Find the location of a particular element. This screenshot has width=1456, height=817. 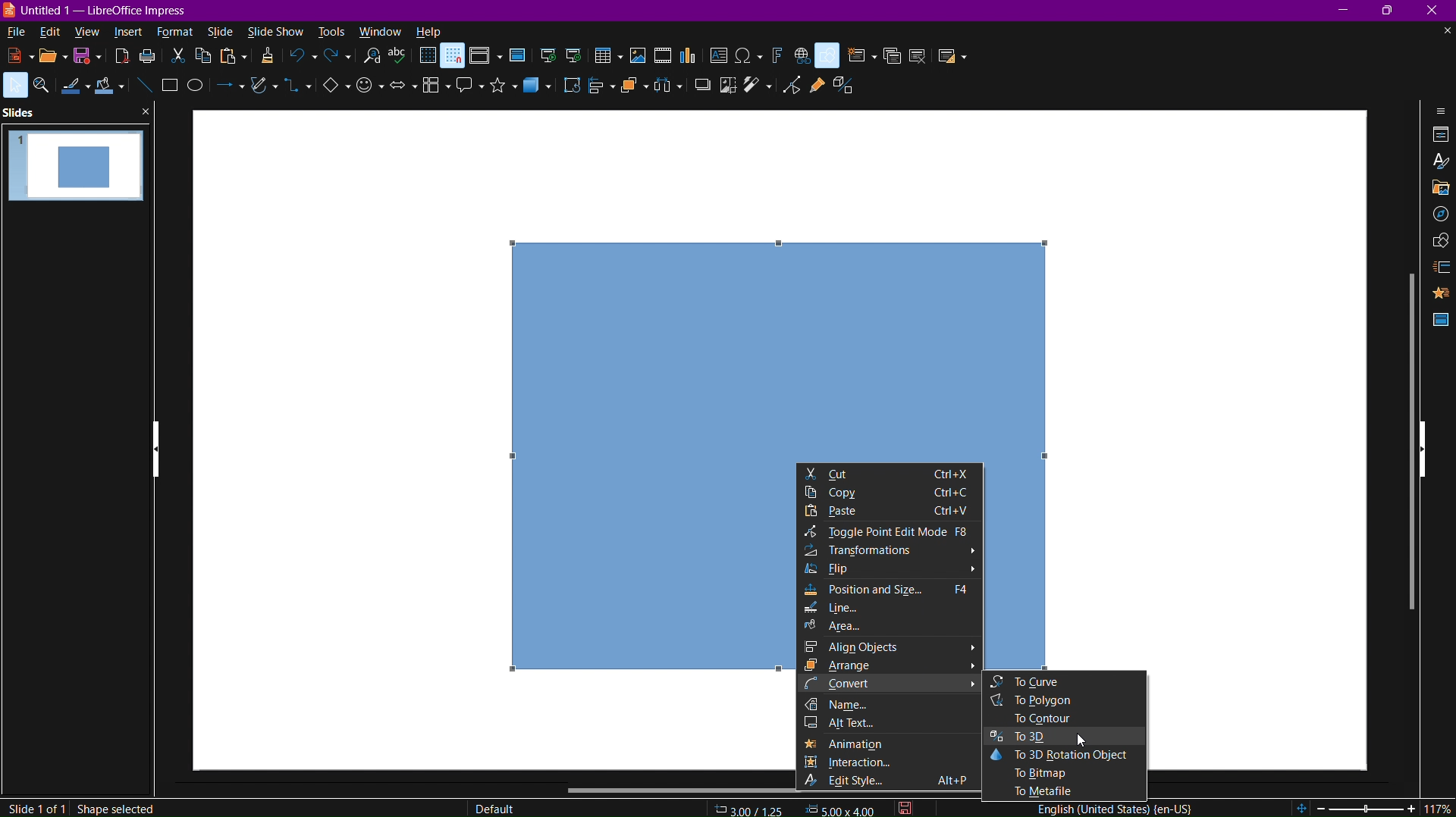

Flowchart is located at coordinates (431, 89).